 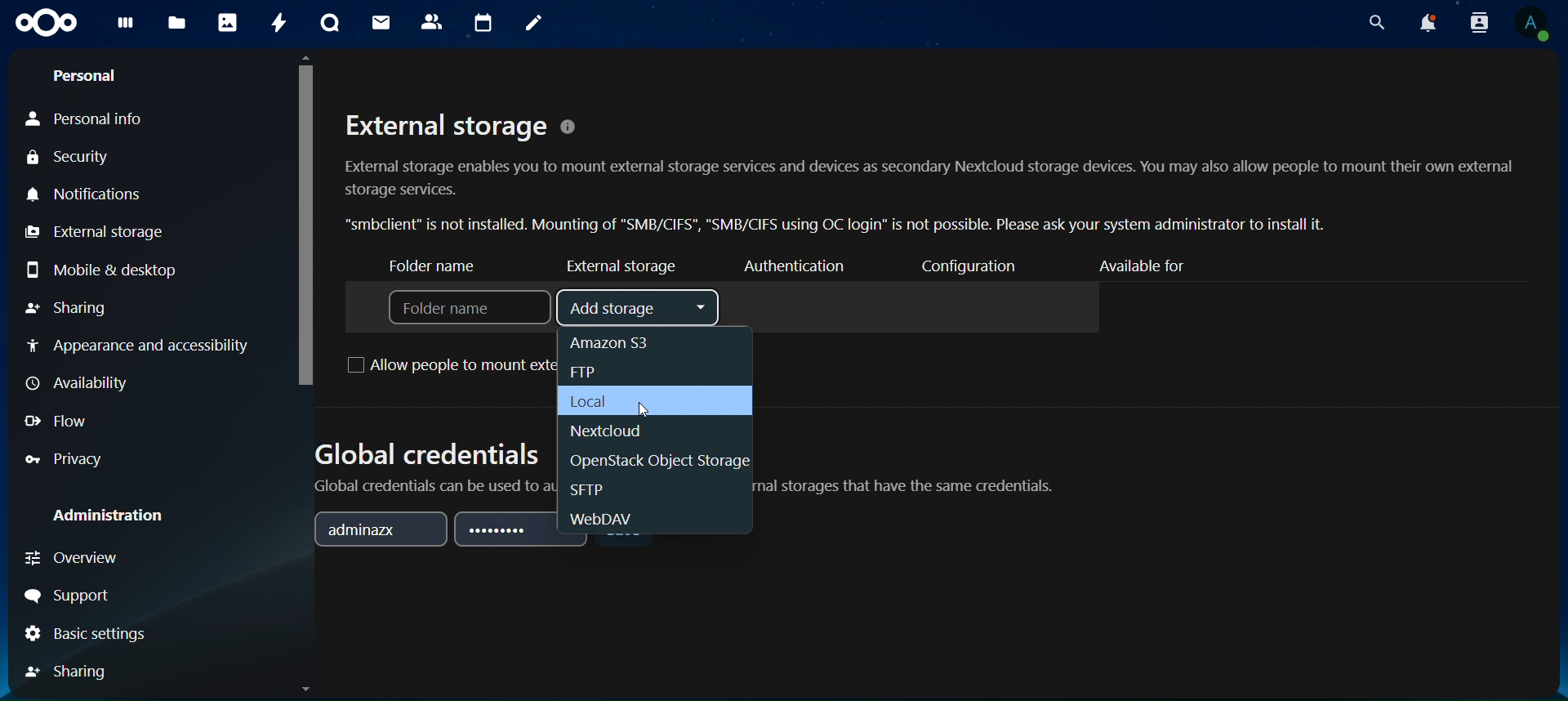 I want to click on ebDAV, so click(x=608, y=520).